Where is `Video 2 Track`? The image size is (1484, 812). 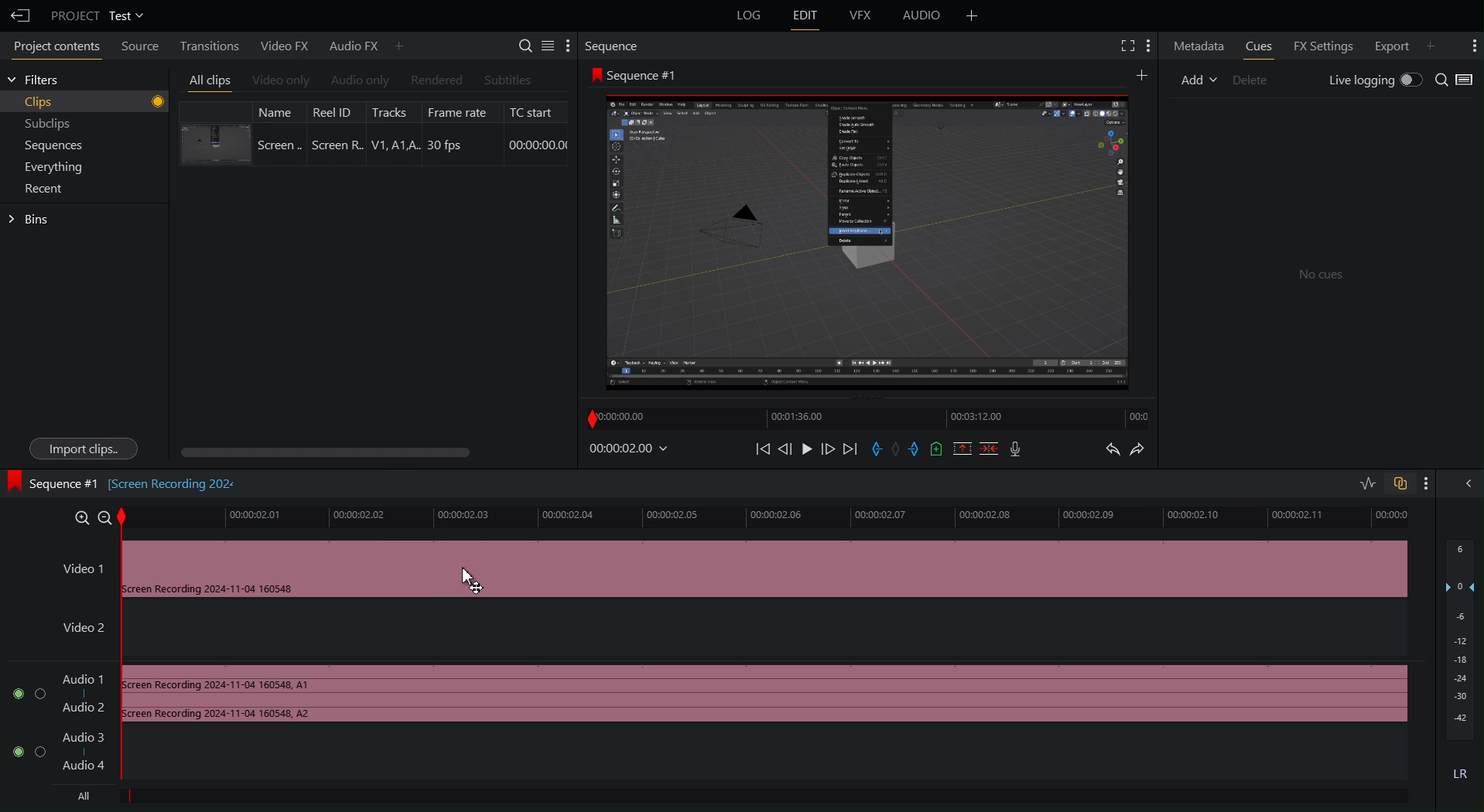
Video 2 Track is located at coordinates (714, 633).